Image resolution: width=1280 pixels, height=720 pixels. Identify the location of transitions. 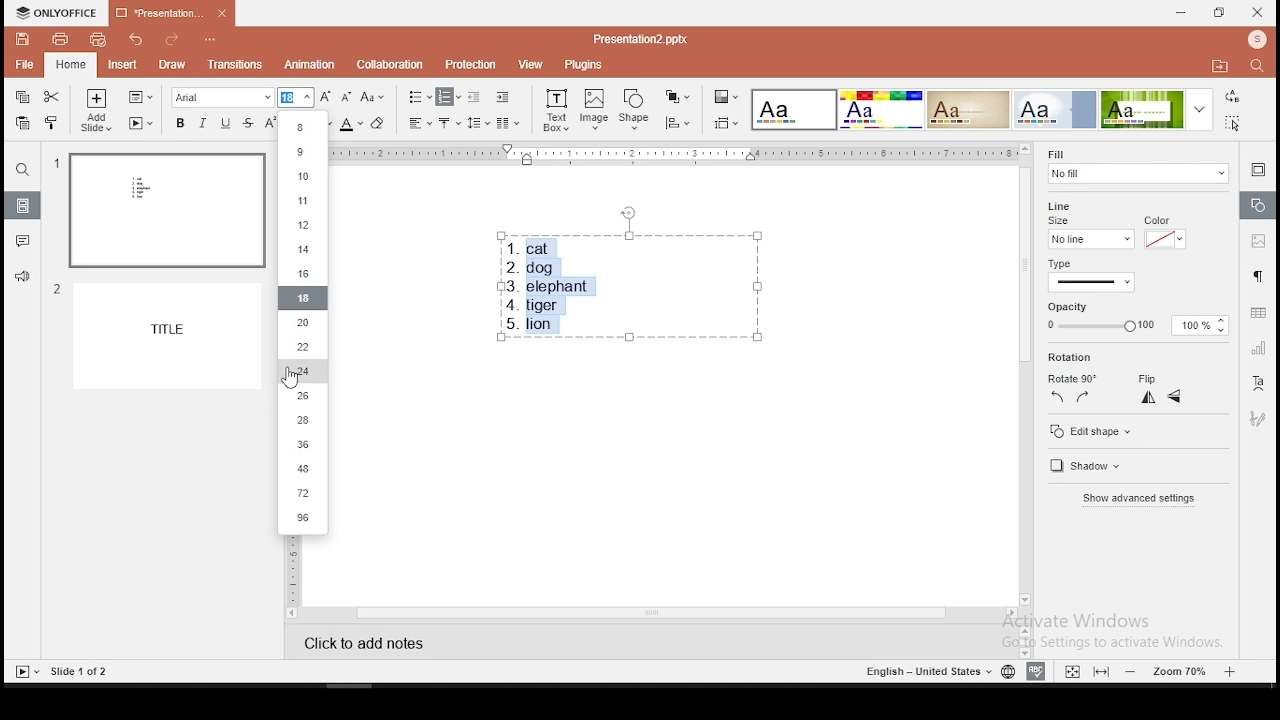
(236, 67).